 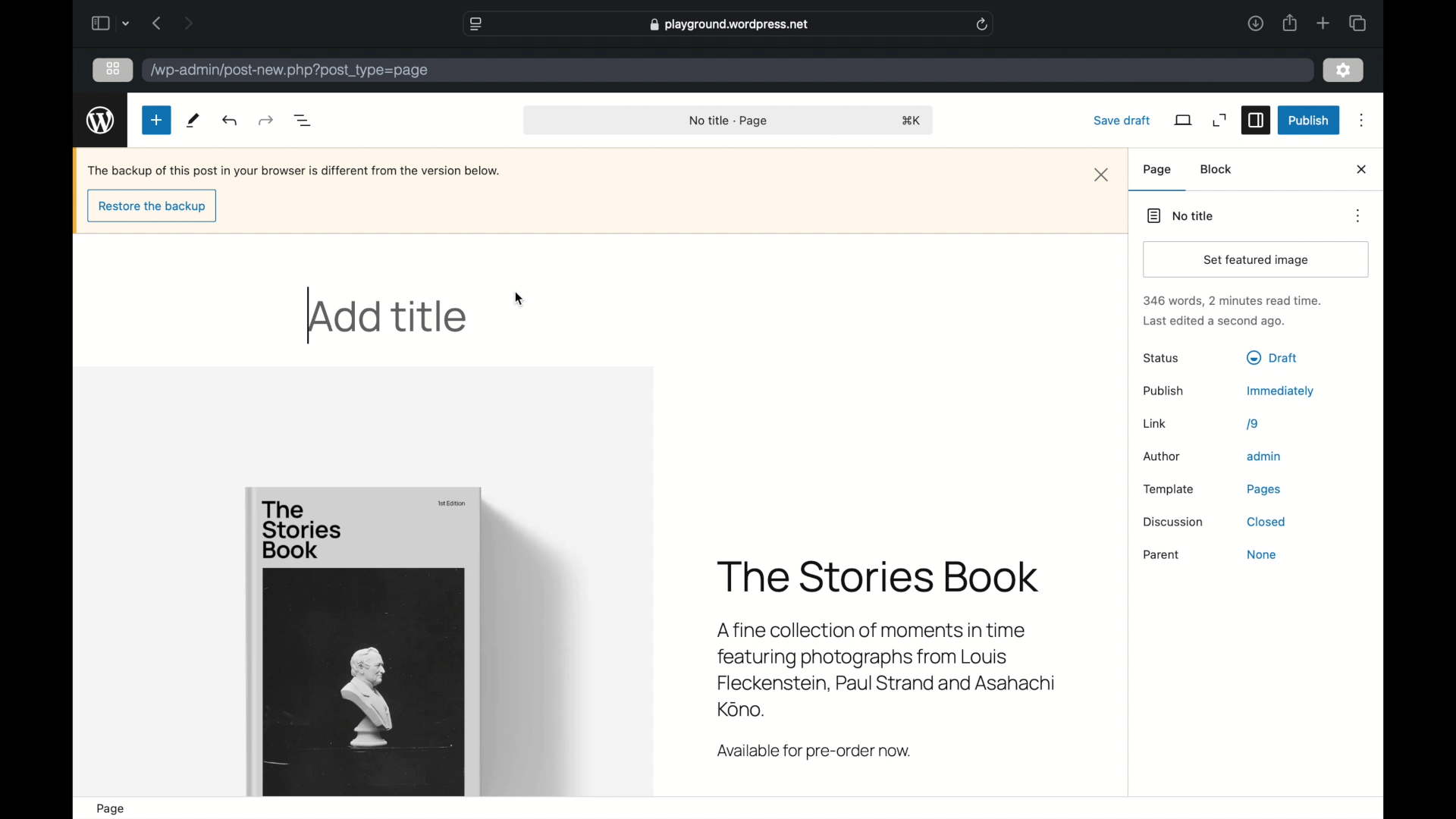 What do you see at coordinates (893, 638) in the screenshot?
I see `The Stories Book
Afine collection of moments in time
featuring photographs from Louis
Fleckenstein, Paul Strand and Asahachi
Kono.` at bounding box center [893, 638].